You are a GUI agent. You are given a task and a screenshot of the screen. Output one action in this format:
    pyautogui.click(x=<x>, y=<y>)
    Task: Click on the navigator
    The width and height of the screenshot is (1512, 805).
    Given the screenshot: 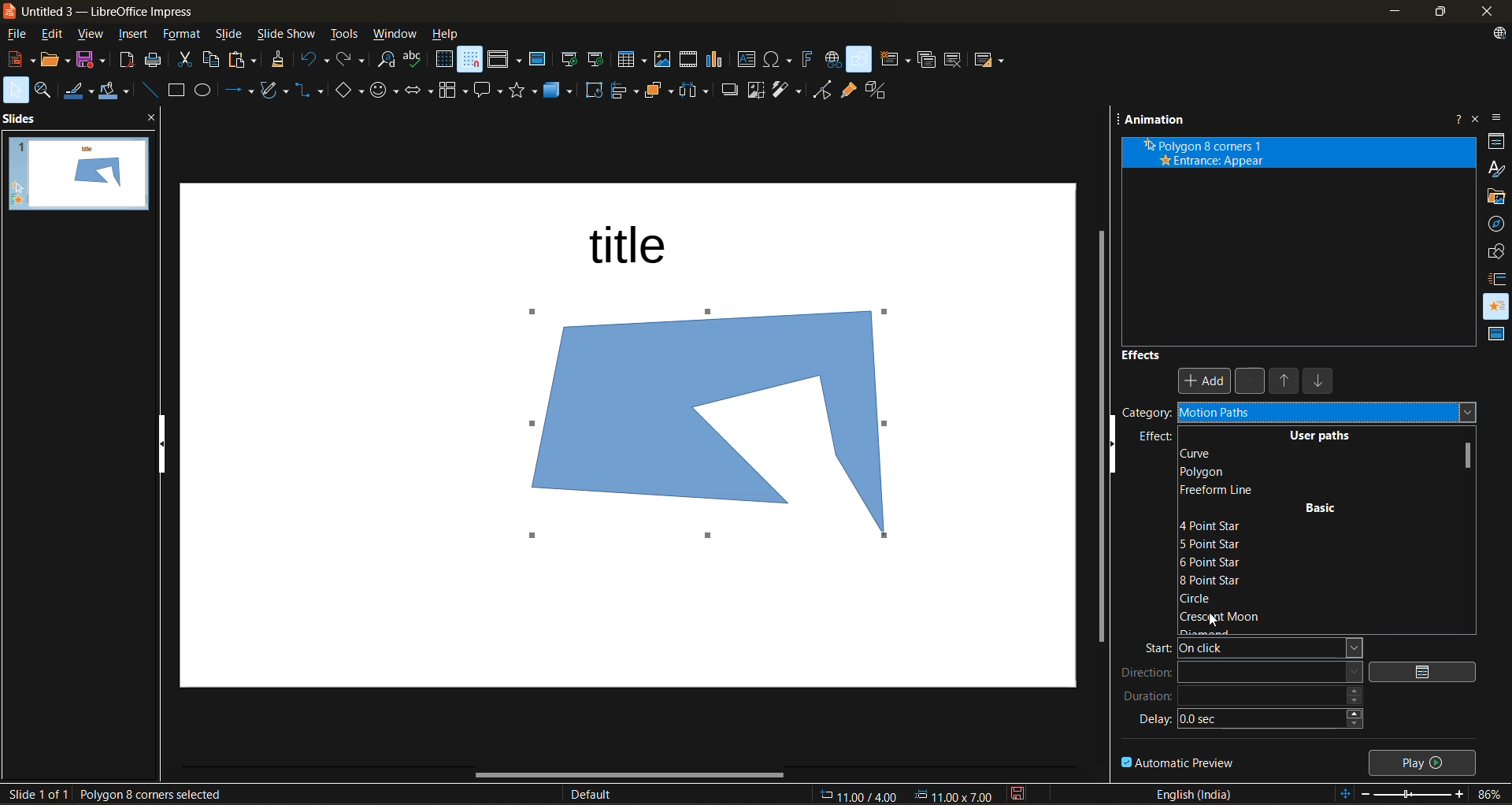 What is the action you would take?
    pyautogui.click(x=1499, y=224)
    